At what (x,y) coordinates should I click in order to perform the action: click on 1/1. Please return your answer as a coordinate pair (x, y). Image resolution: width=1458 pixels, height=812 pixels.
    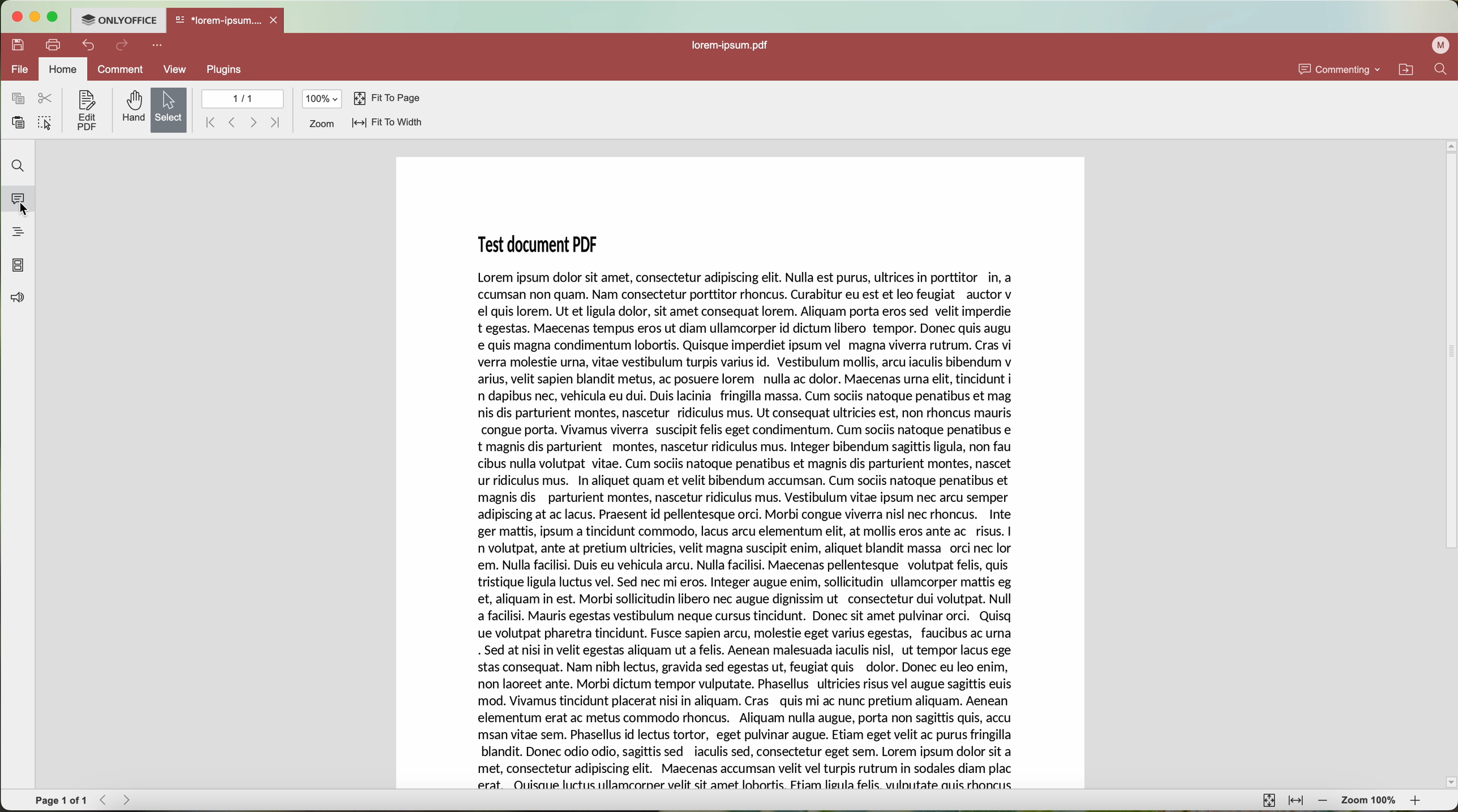
    Looking at the image, I should click on (242, 98).